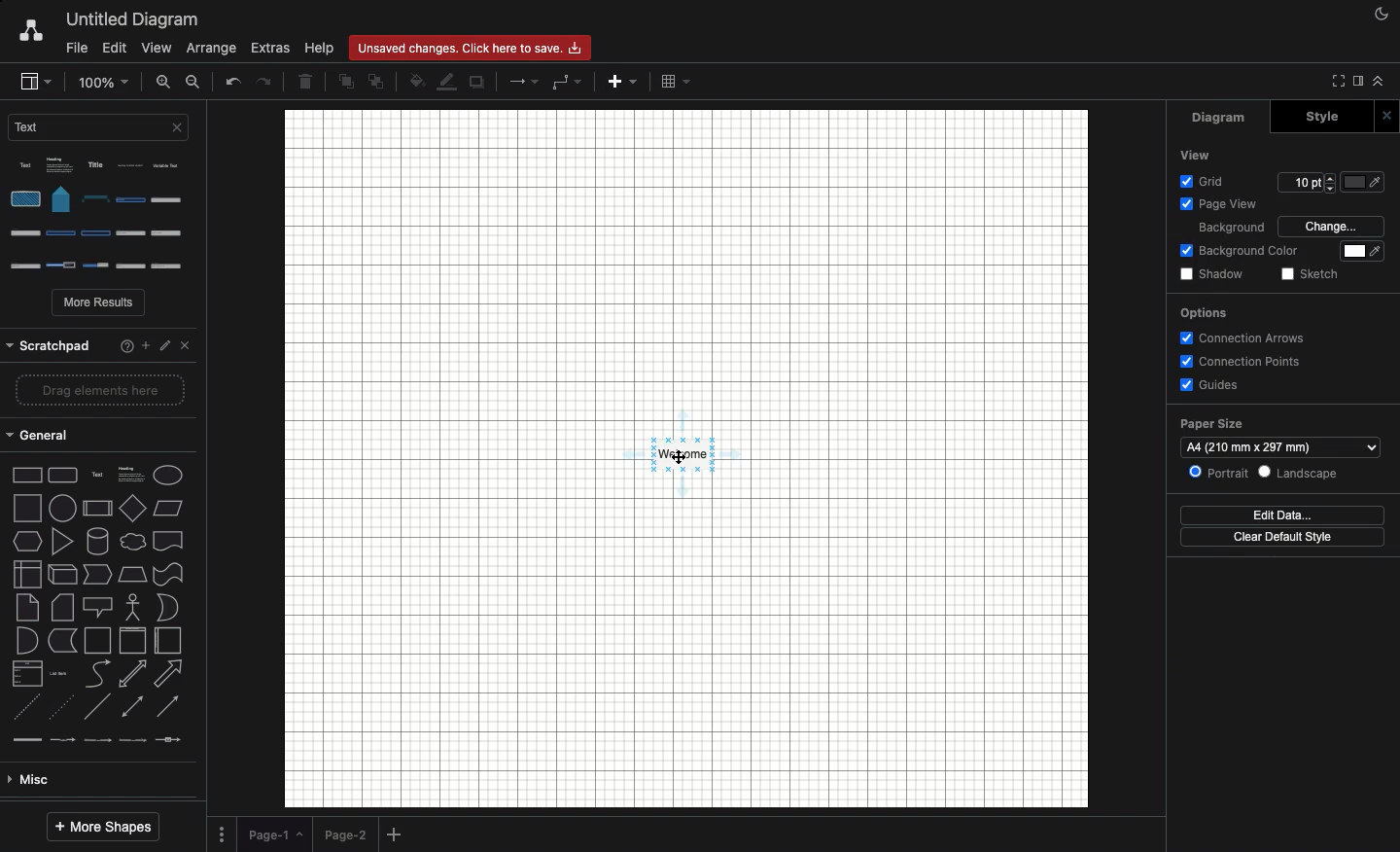 The image size is (1400, 852). What do you see at coordinates (1278, 183) in the screenshot?
I see `` at bounding box center [1278, 183].